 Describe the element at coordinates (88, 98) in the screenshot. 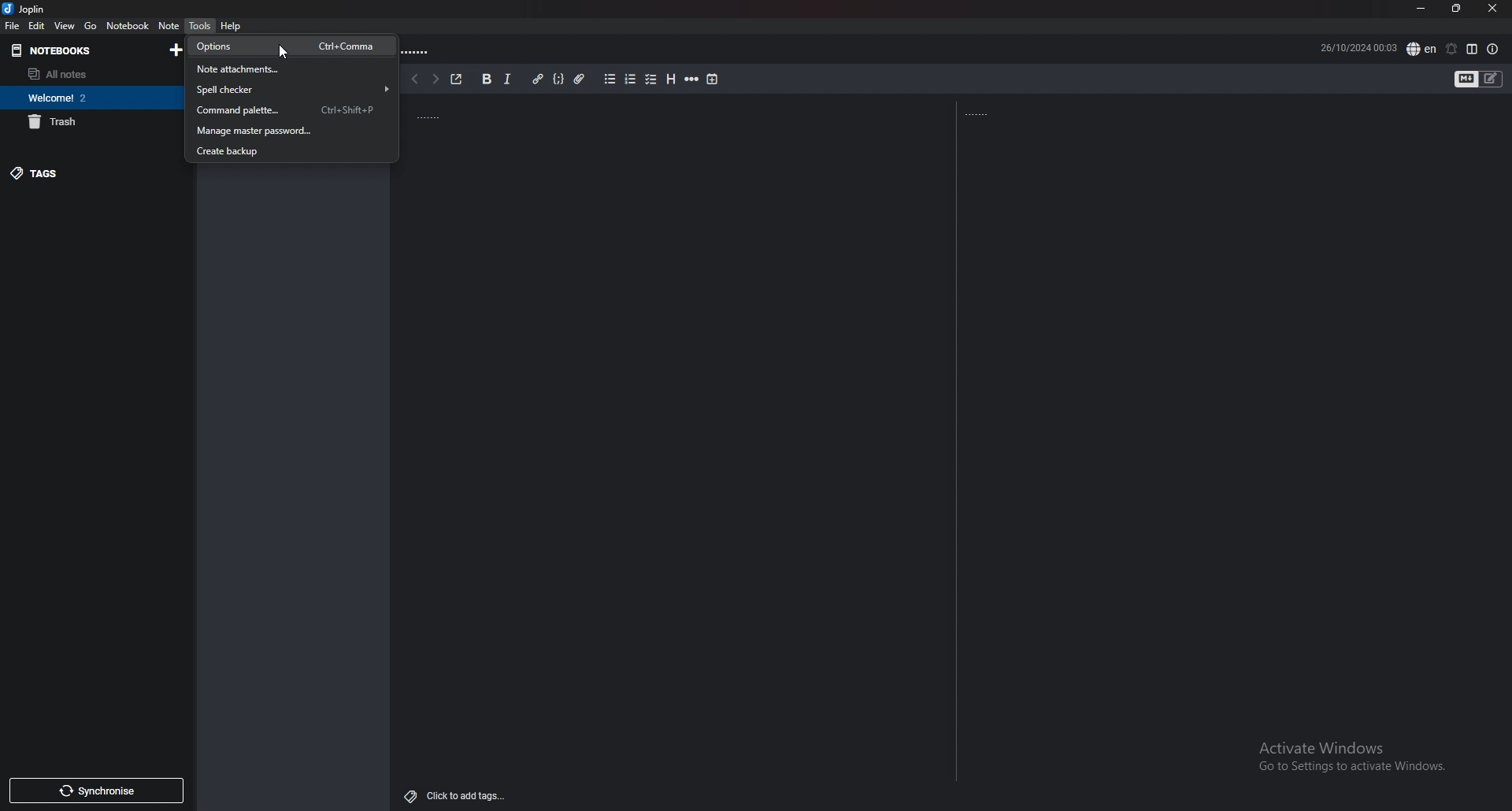

I see `welcome` at that location.